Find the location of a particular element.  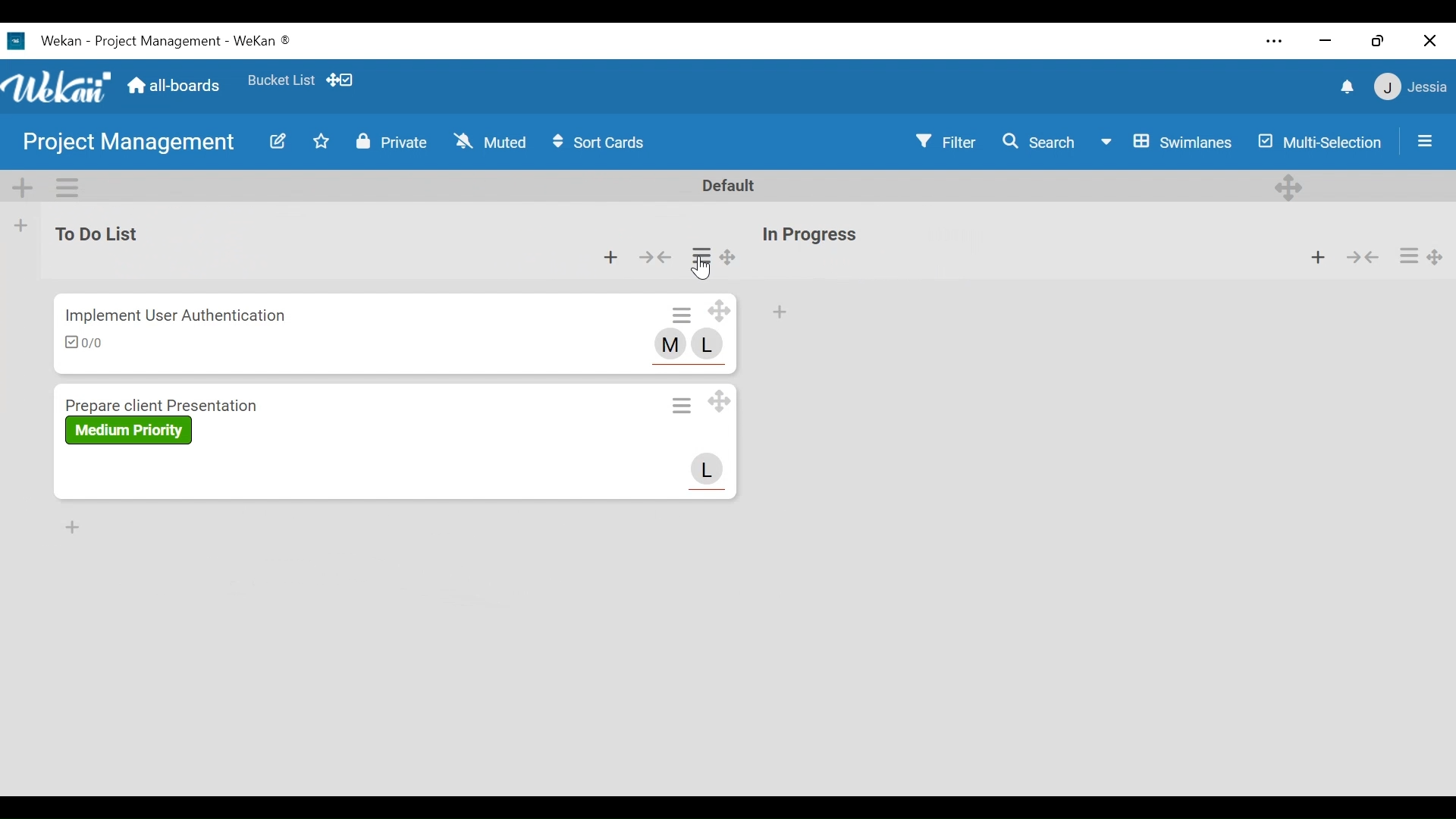

Board Name is located at coordinates (130, 142).